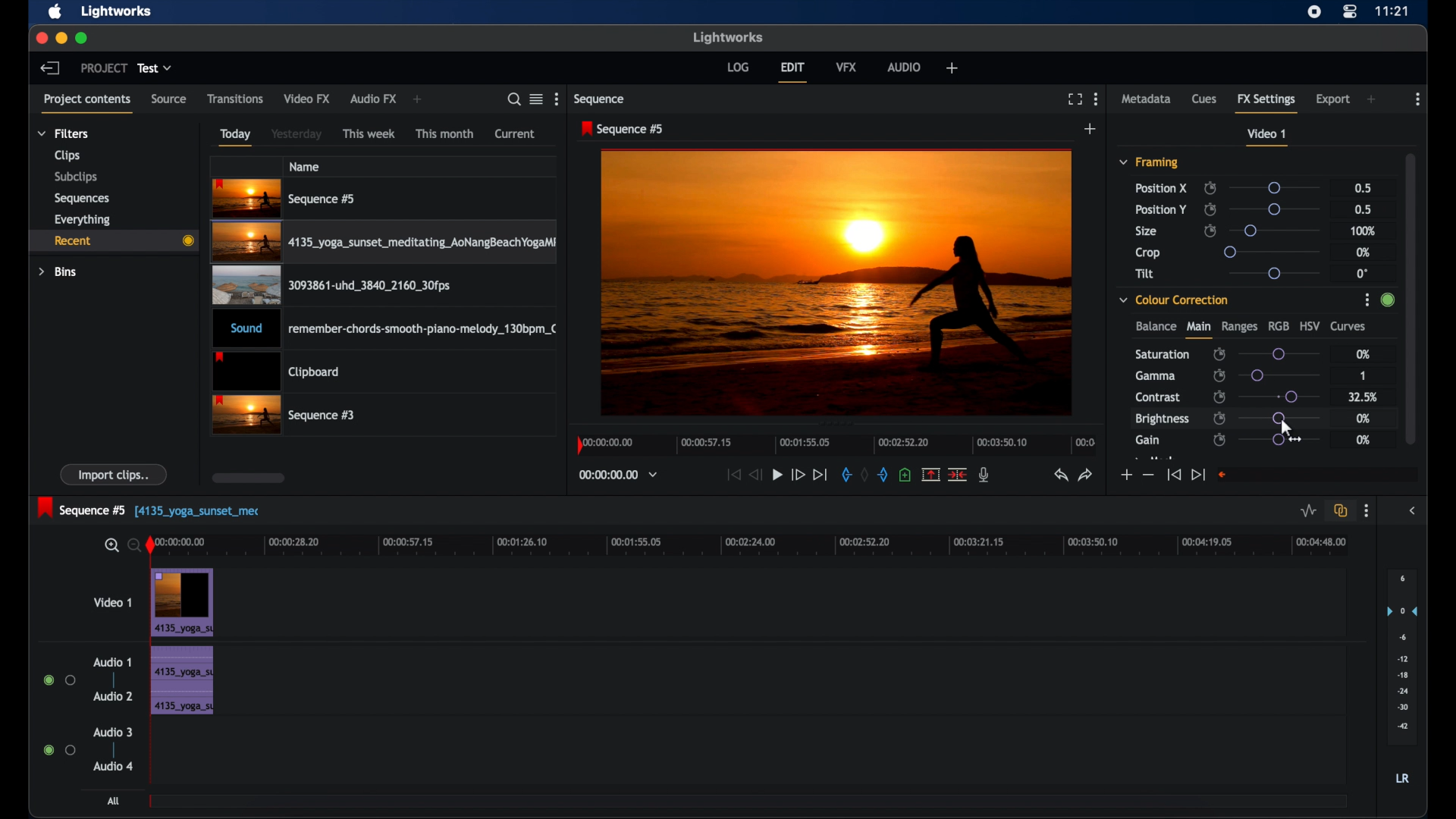 This screenshot has width=1456, height=819. I want to click on 1, so click(1365, 374).